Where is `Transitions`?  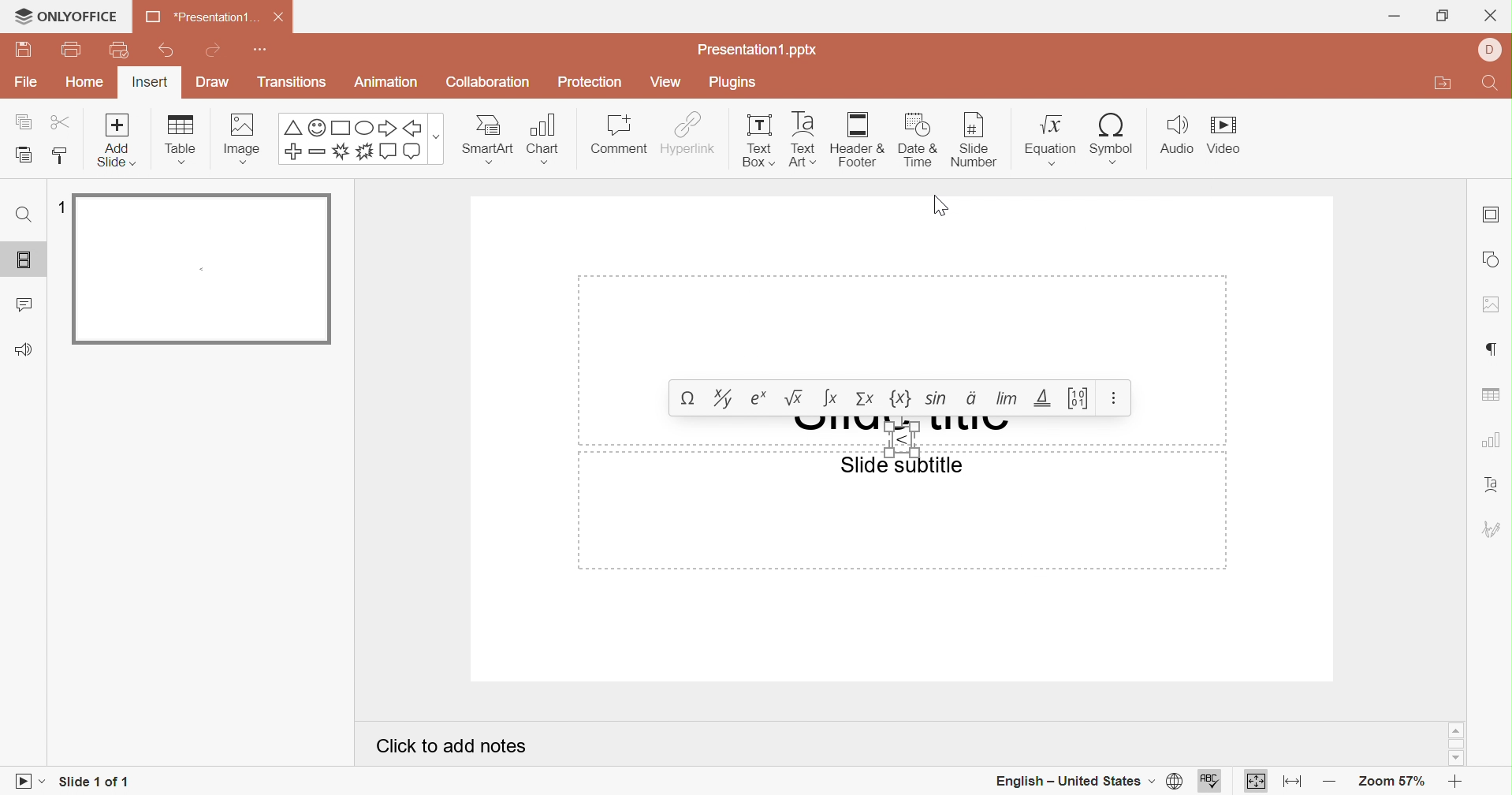 Transitions is located at coordinates (292, 82).